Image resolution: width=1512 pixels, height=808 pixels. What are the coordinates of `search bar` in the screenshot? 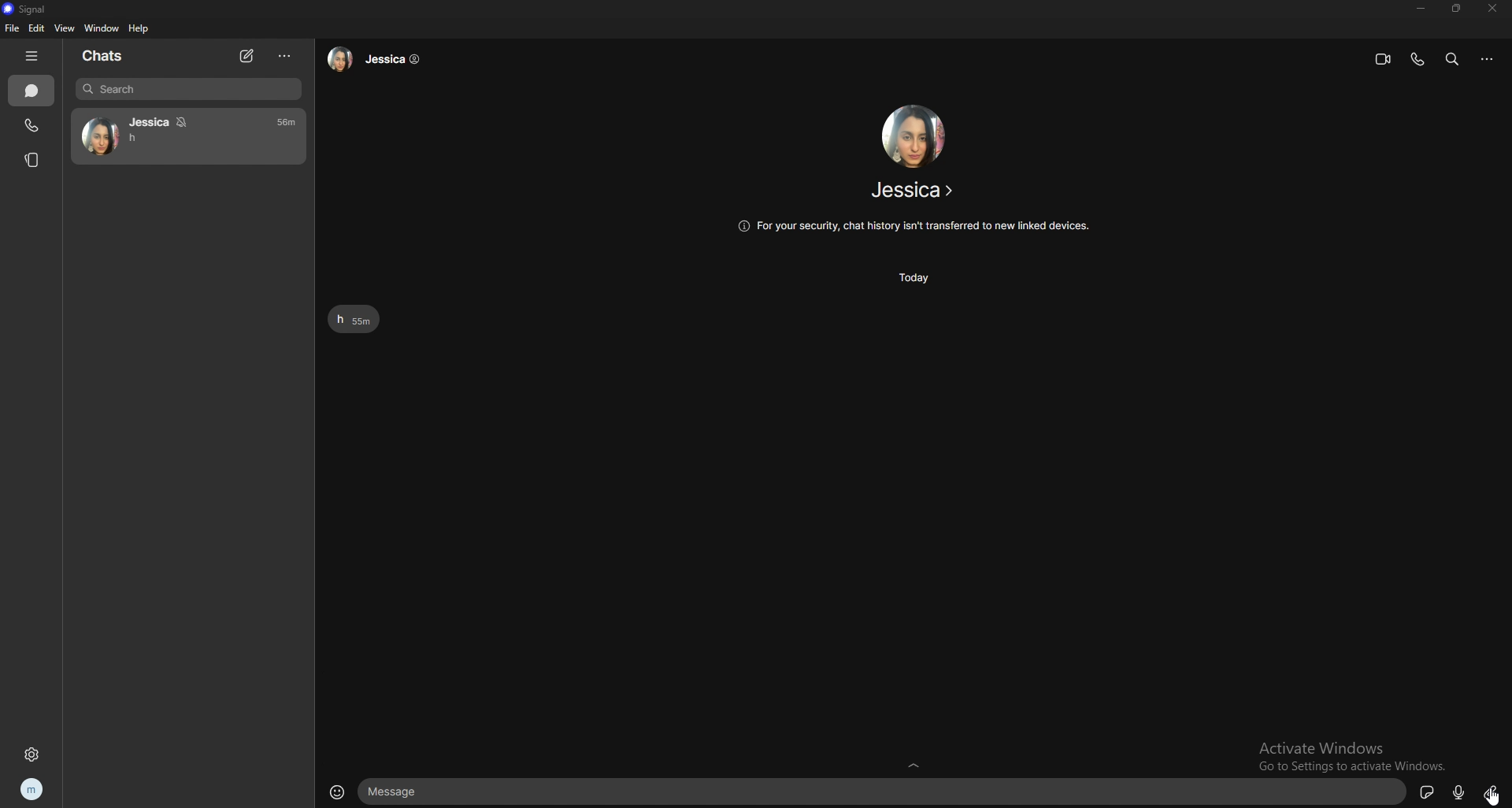 It's located at (189, 90).